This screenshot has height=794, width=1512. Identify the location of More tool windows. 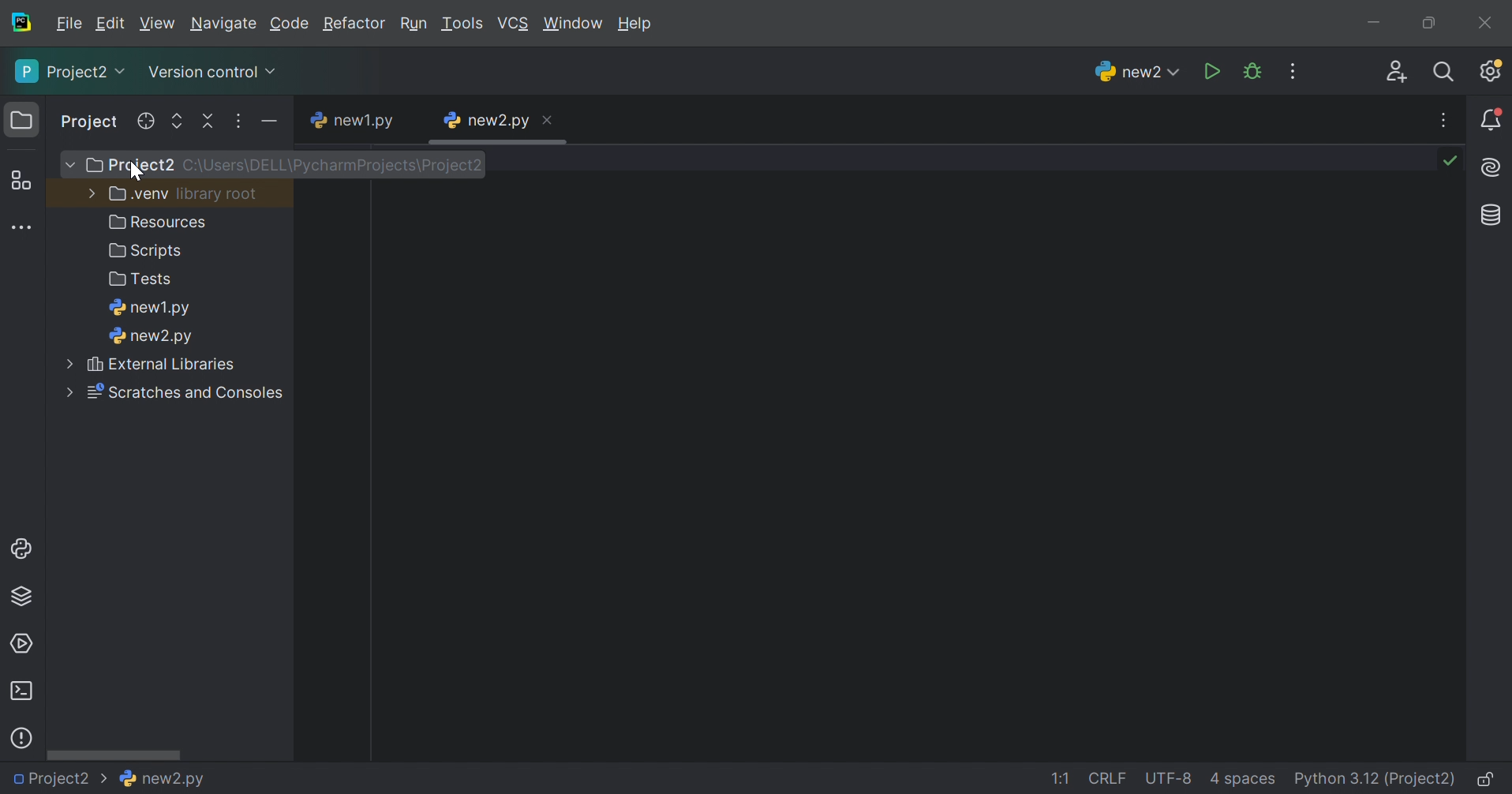
(21, 227).